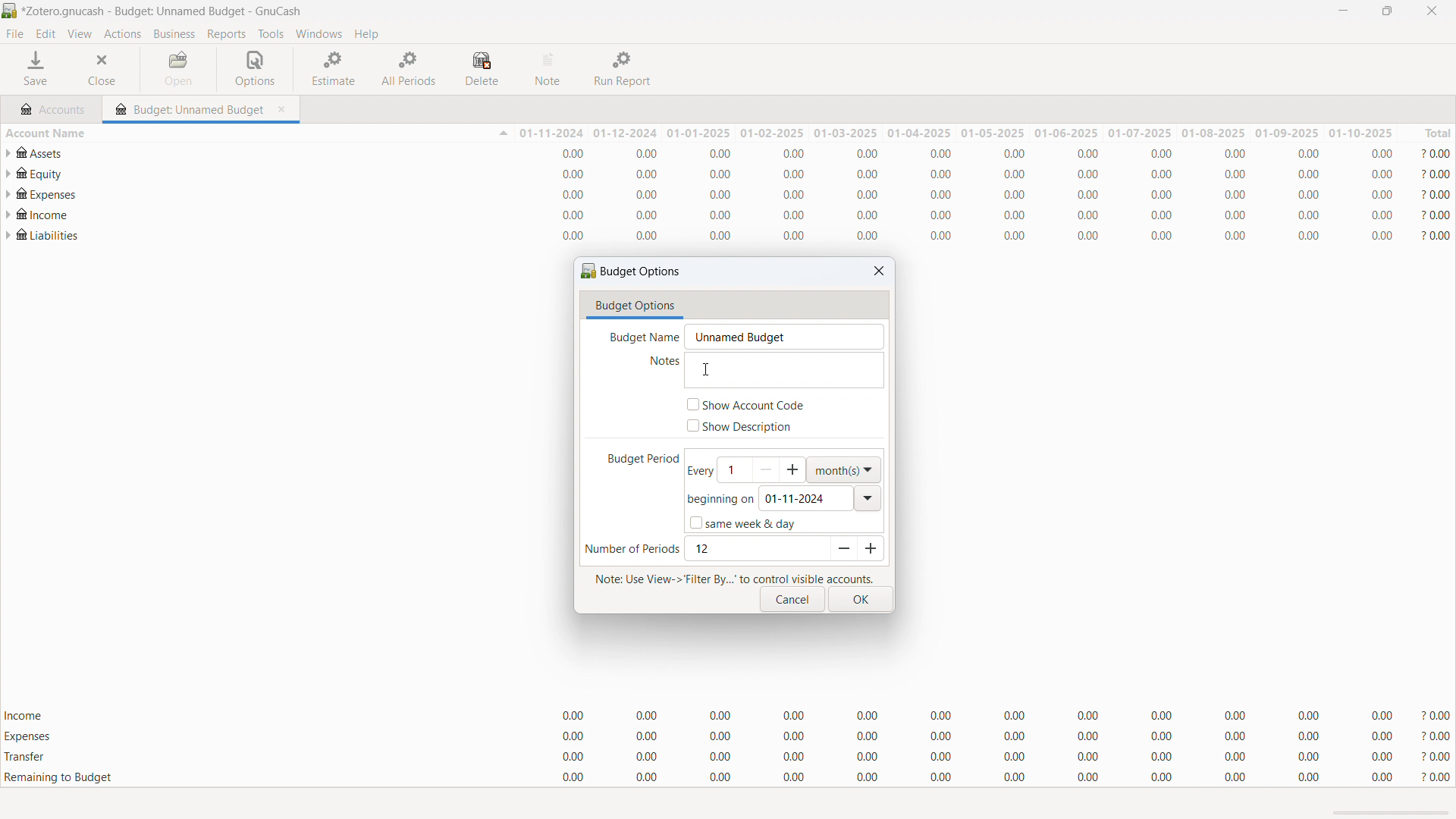 The height and width of the screenshot is (819, 1456). I want to click on close, so click(879, 271).